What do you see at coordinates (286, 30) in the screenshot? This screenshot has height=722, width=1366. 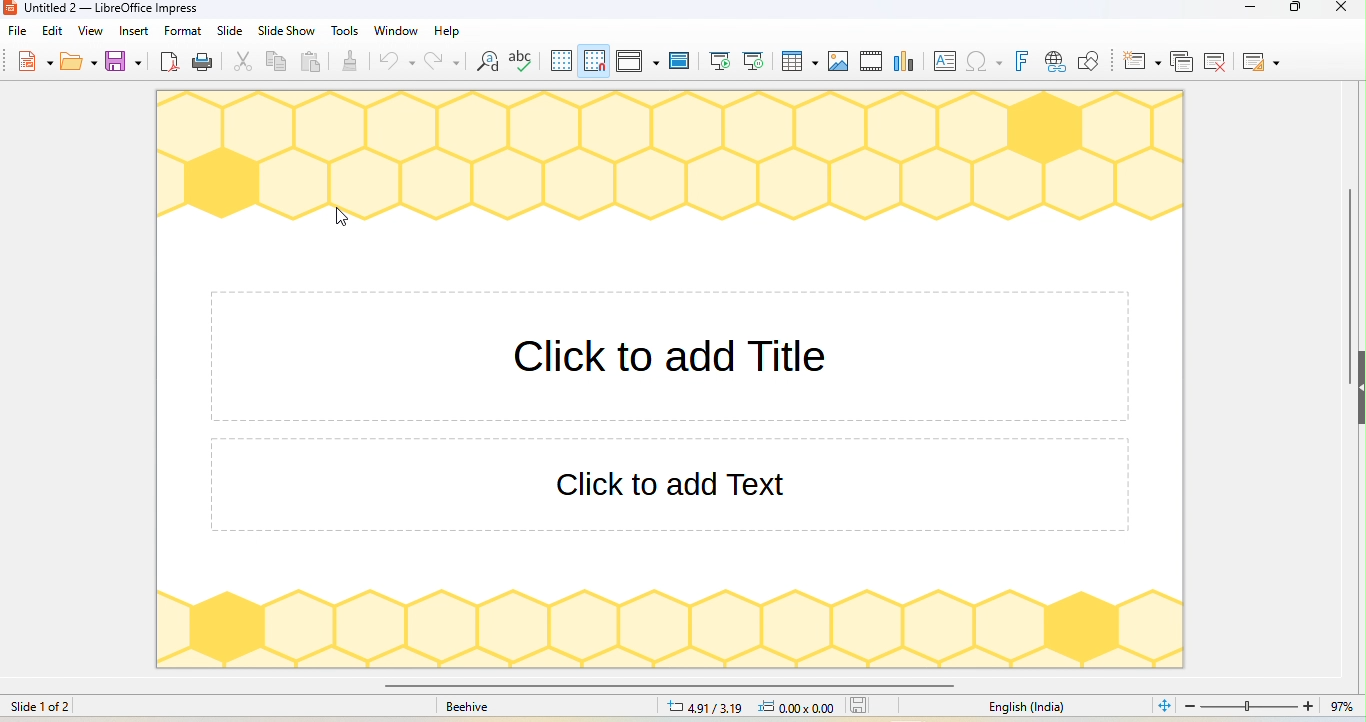 I see `slideshow` at bounding box center [286, 30].